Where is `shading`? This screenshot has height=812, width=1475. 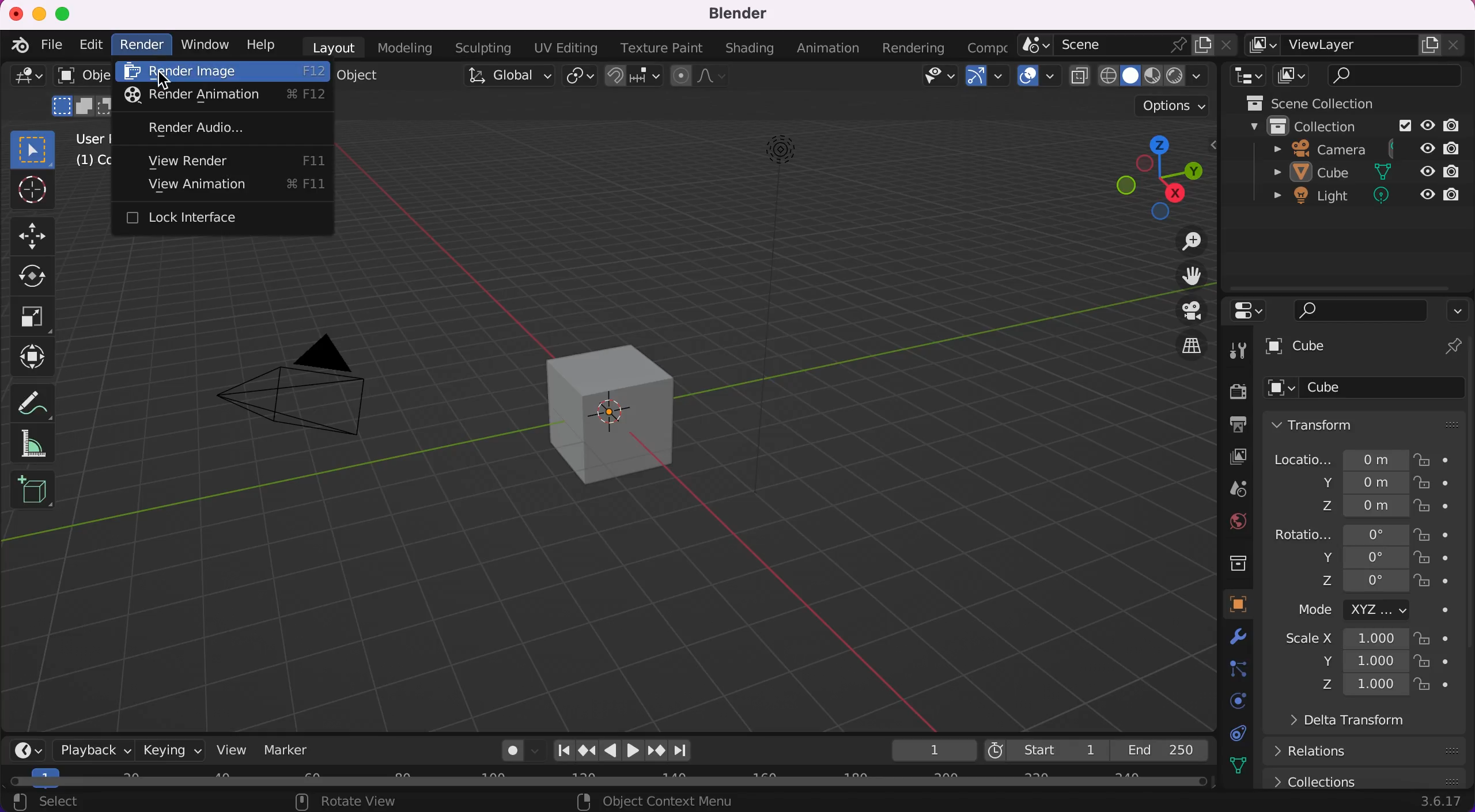
shading is located at coordinates (750, 48).